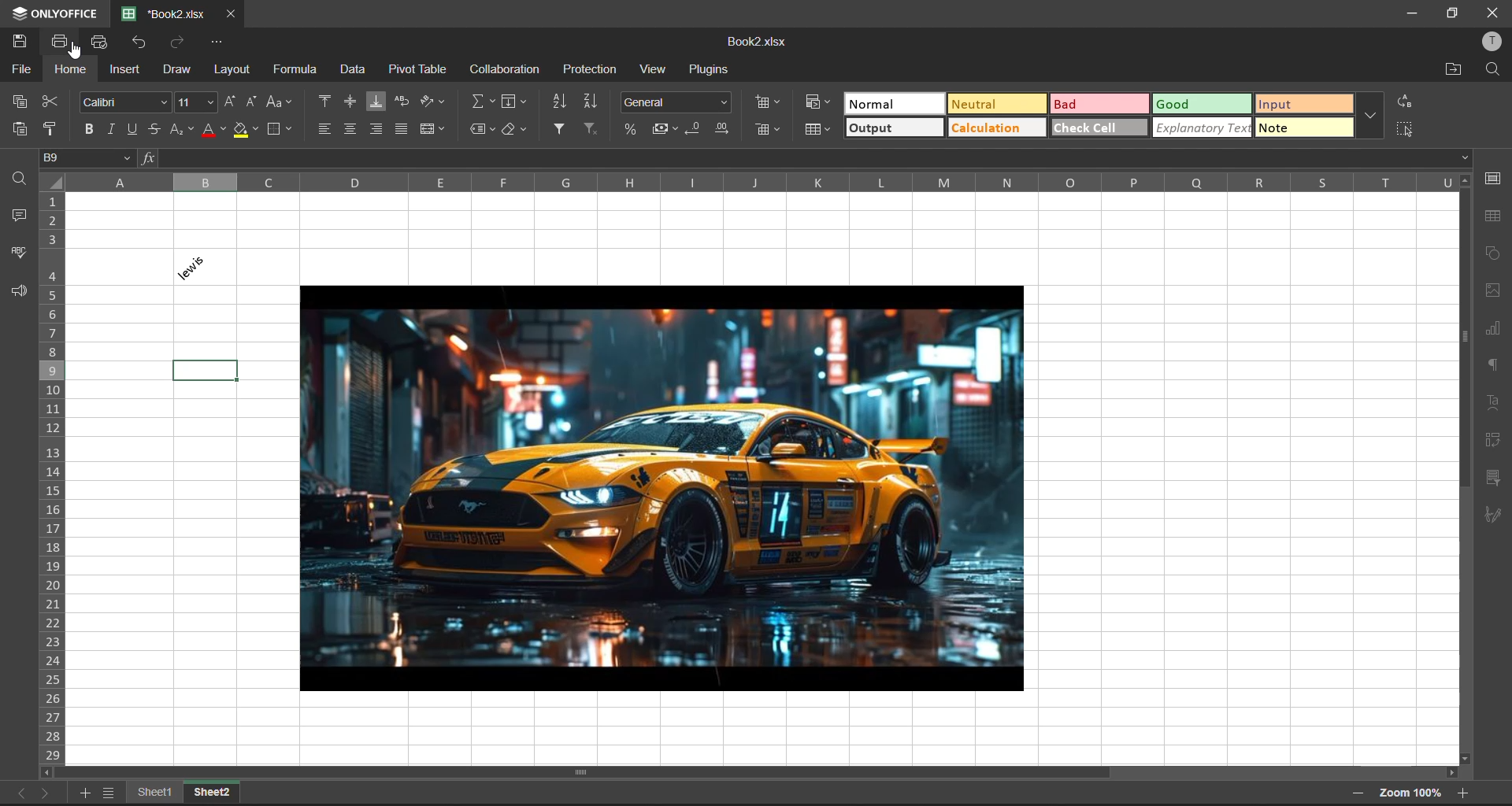  Describe the element at coordinates (892, 128) in the screenshot. I see `output` at that location.